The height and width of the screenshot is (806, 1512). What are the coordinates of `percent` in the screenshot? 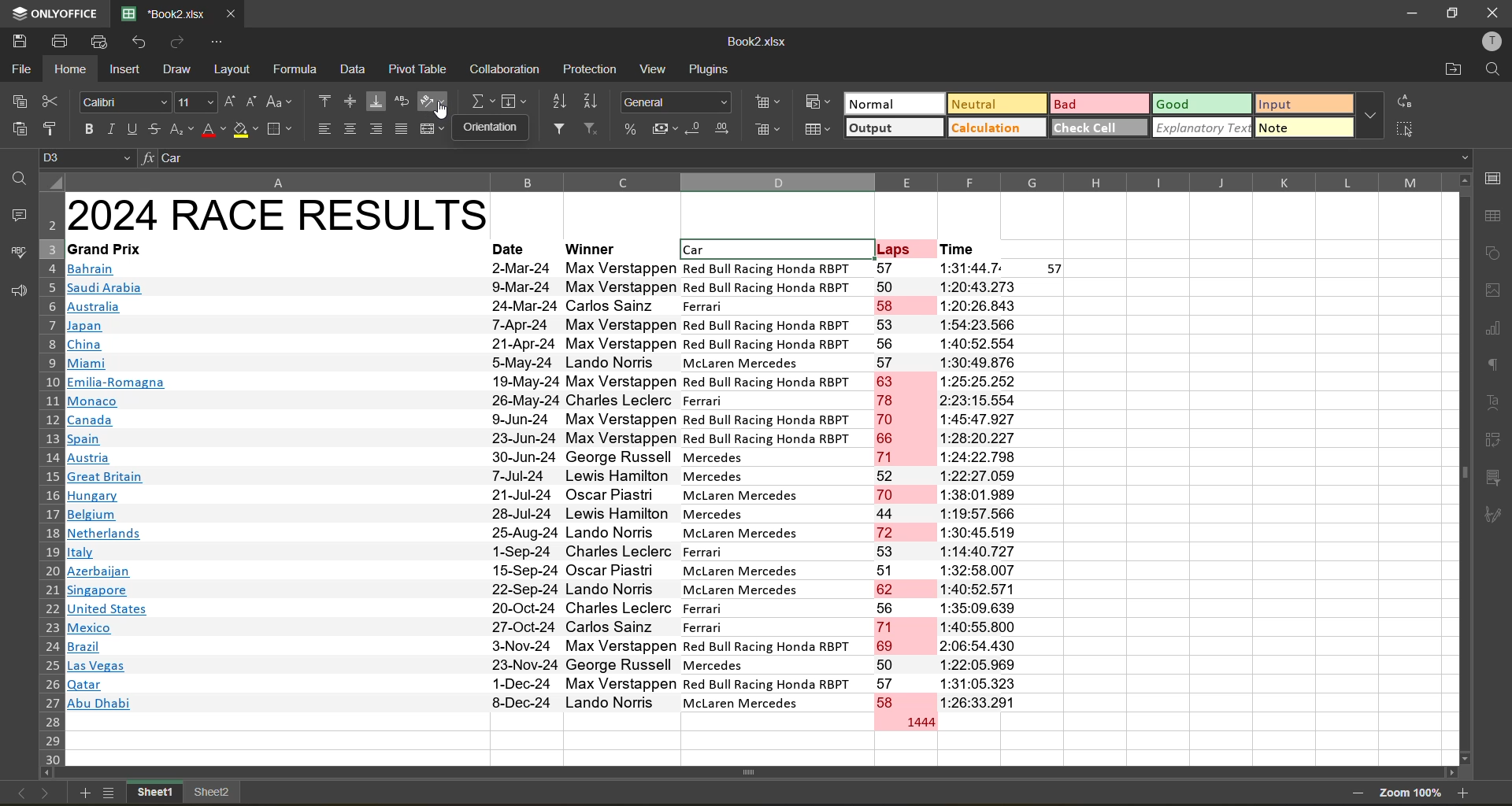 It's located at (632, 130).